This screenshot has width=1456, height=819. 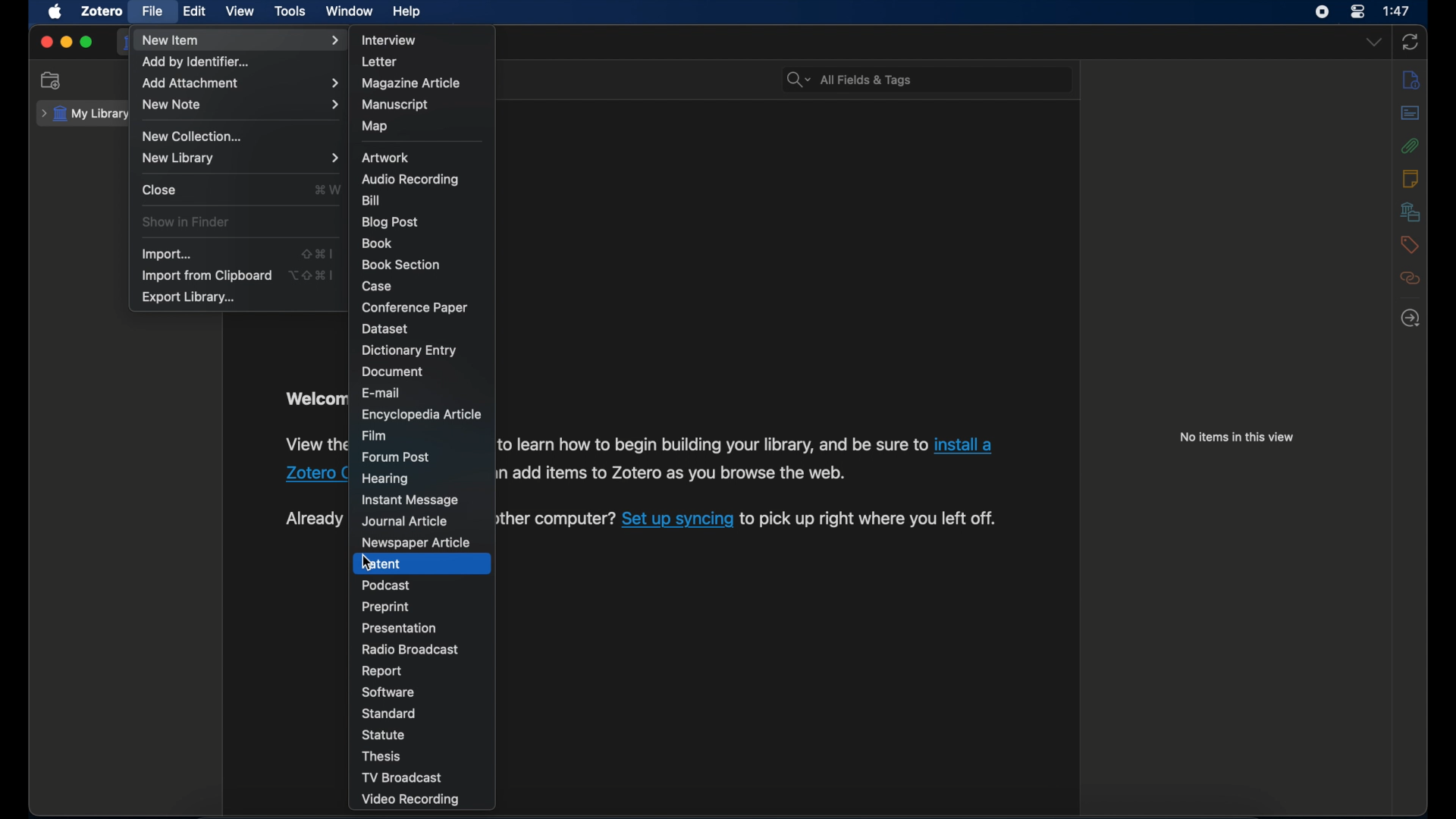 I want to click on sync, so click(x=1411, y=43).